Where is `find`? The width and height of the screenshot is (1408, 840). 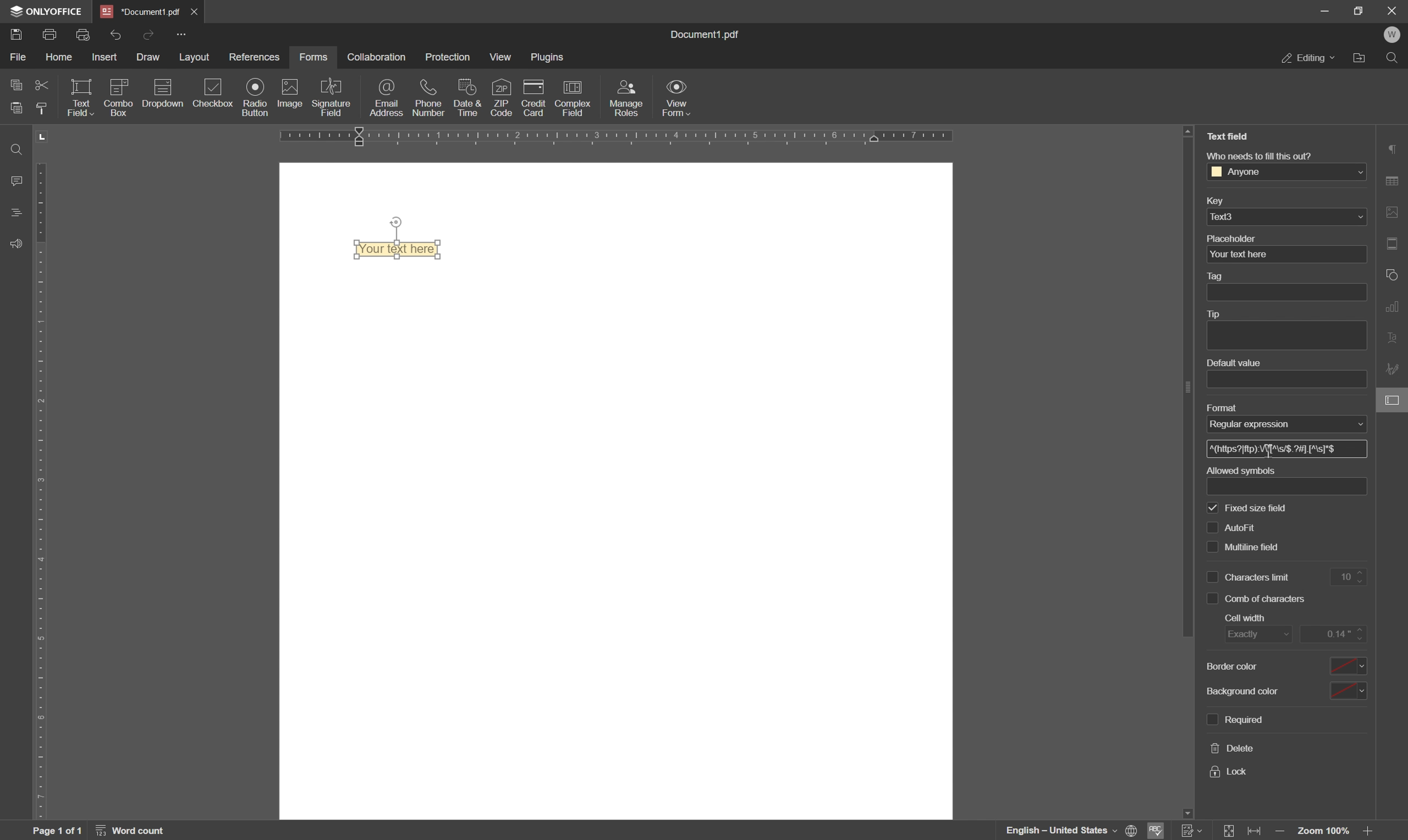
find is located at coordinates (13, 148).